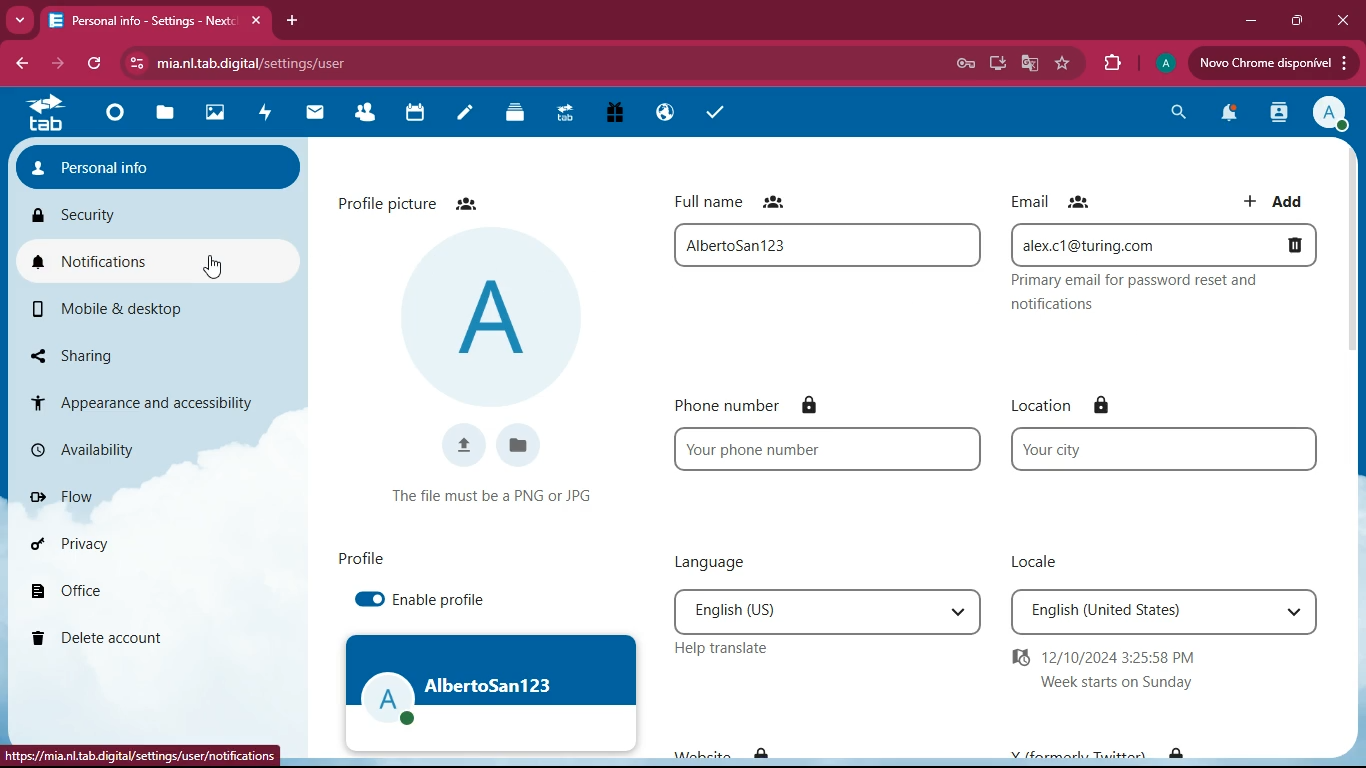 This screenshot has width=1366, height=768. I want to click on profile, so click(1328, 114).